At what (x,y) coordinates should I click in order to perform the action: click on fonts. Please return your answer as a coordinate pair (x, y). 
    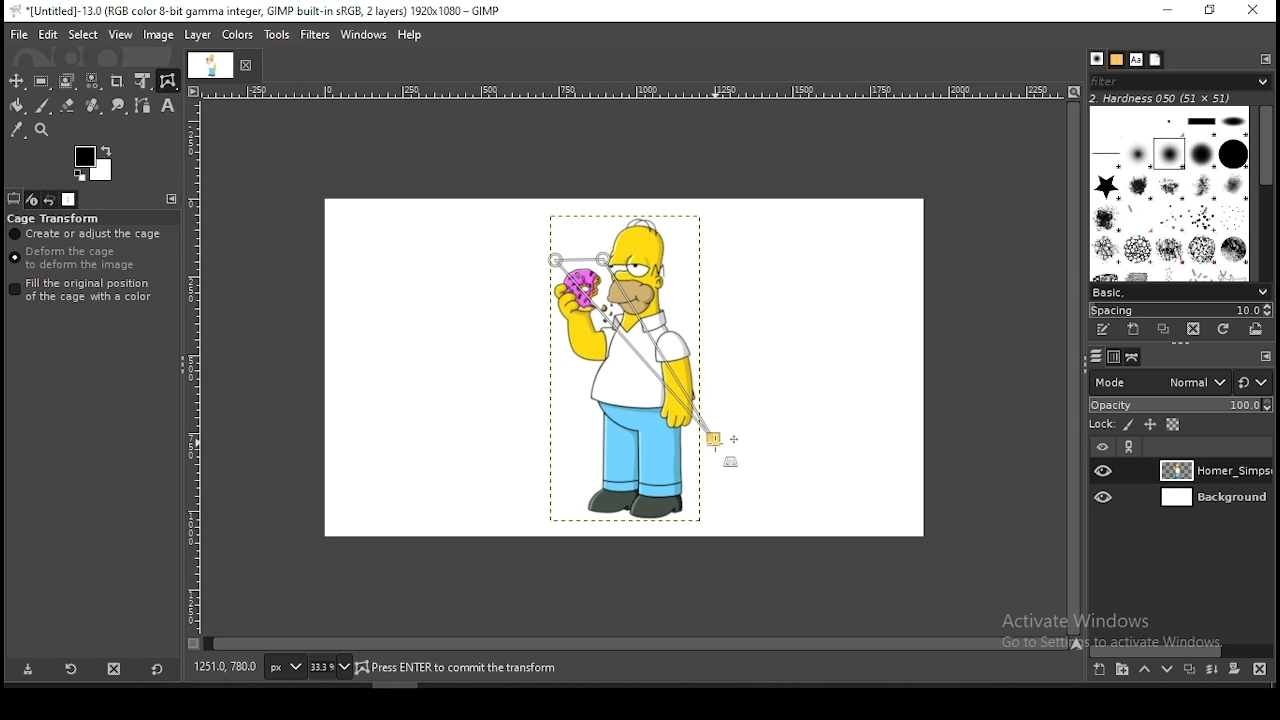
    Looking at the image, I should click on (1135, 59).